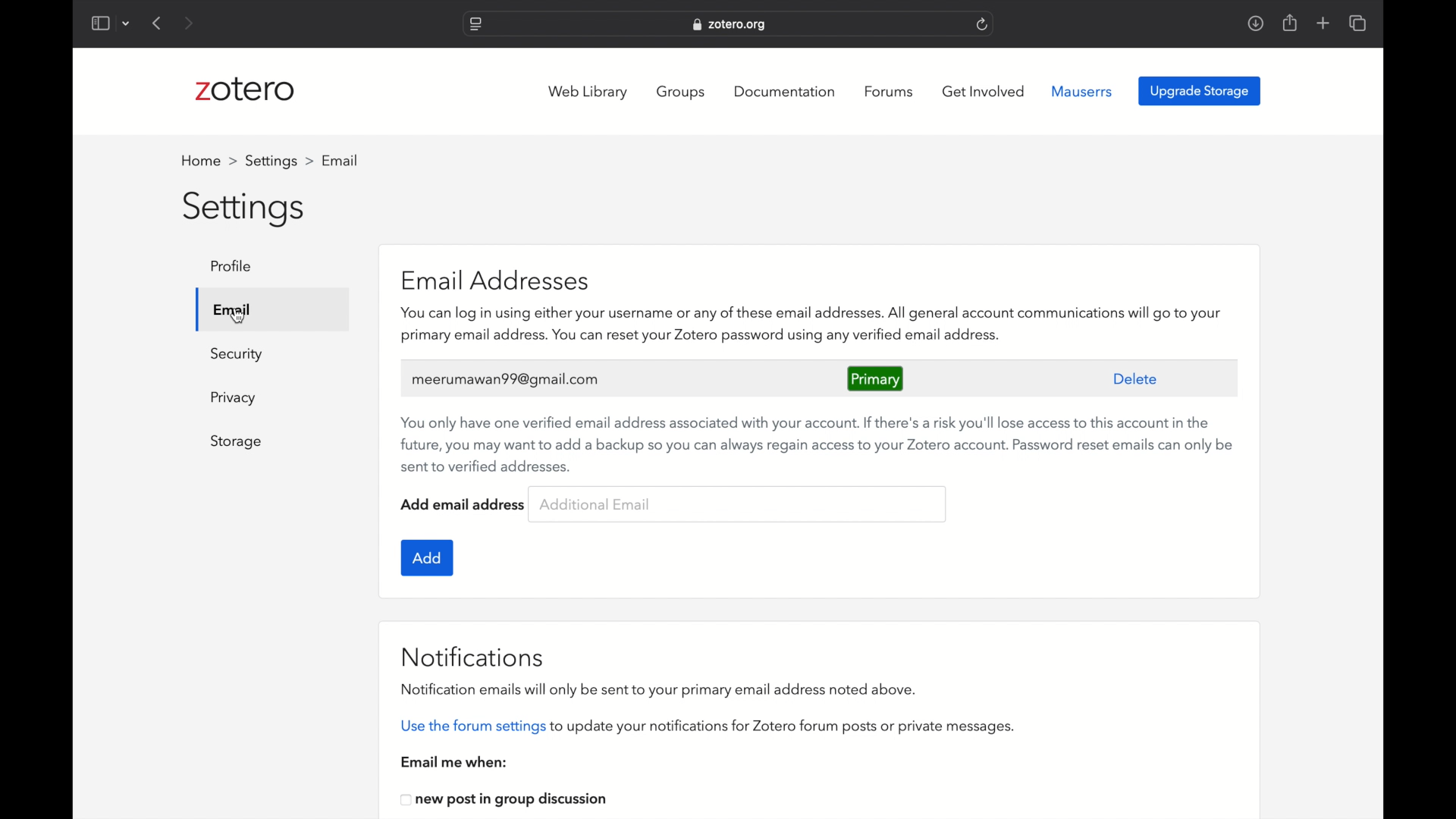 This screenshot has width=1456, height=819. Describe the element at coordinates (817, 444) in the screenshot. I see `Recommendation to use verified backup email address` at that location.